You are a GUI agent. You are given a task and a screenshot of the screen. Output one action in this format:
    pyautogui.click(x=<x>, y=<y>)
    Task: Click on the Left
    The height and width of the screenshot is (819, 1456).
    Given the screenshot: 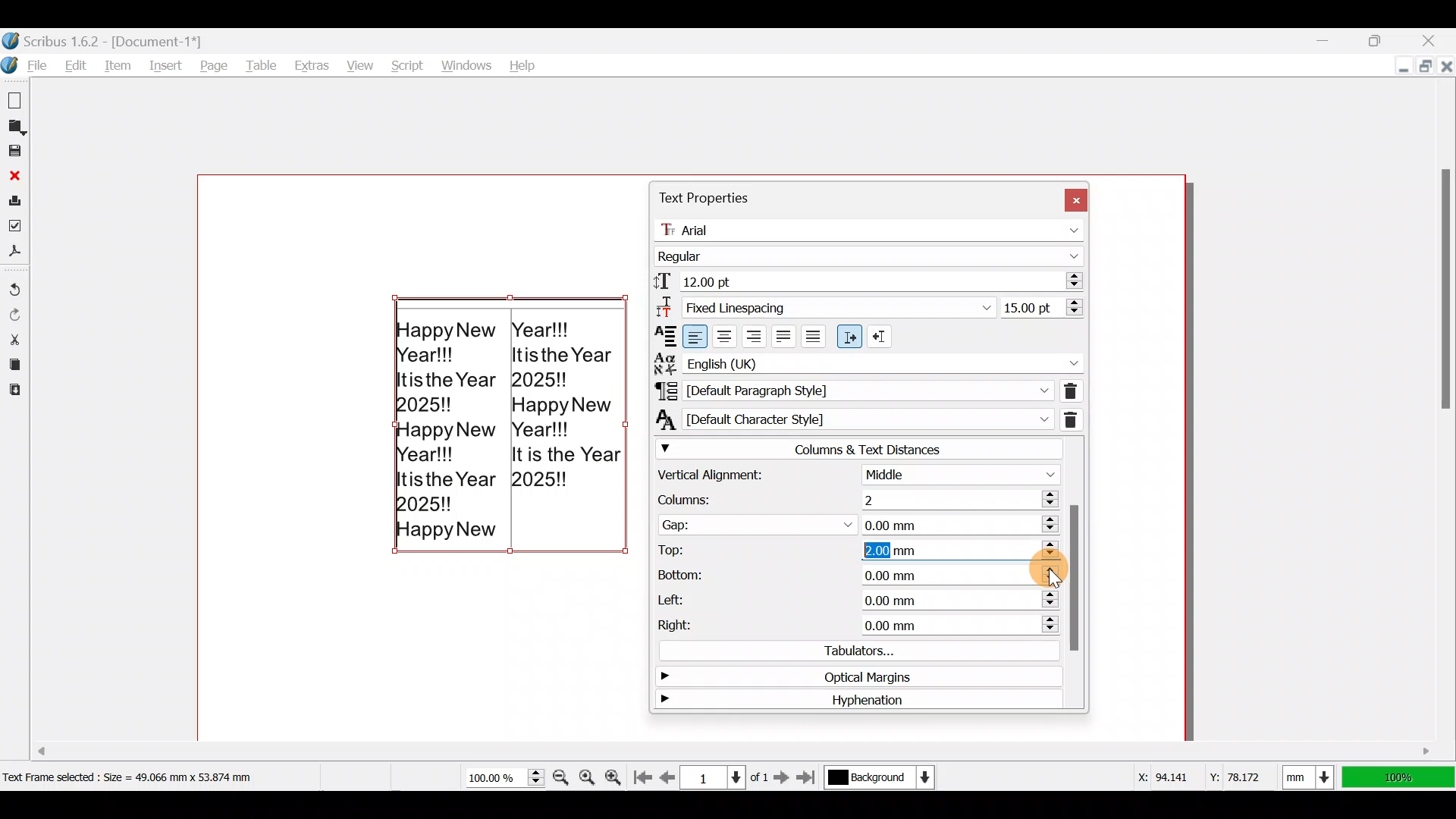 What is the action you would take?
    pyautogui.click(x=851, y=599)
    